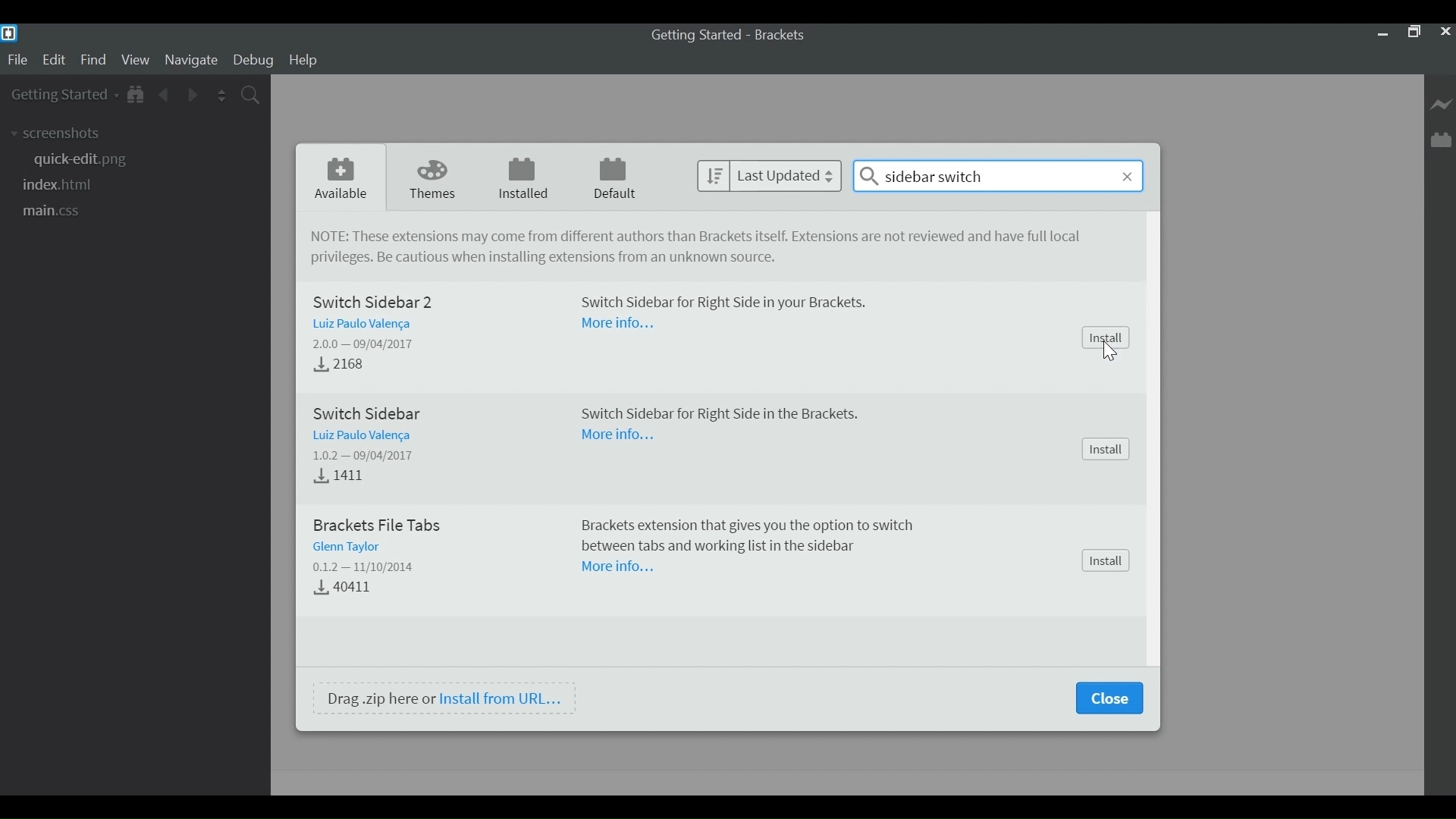  What do you see at coordinates (547, 259) in the screenshot?
I see `Be cautious when installing extensions from unknown source` at bounding box center [547, 259].